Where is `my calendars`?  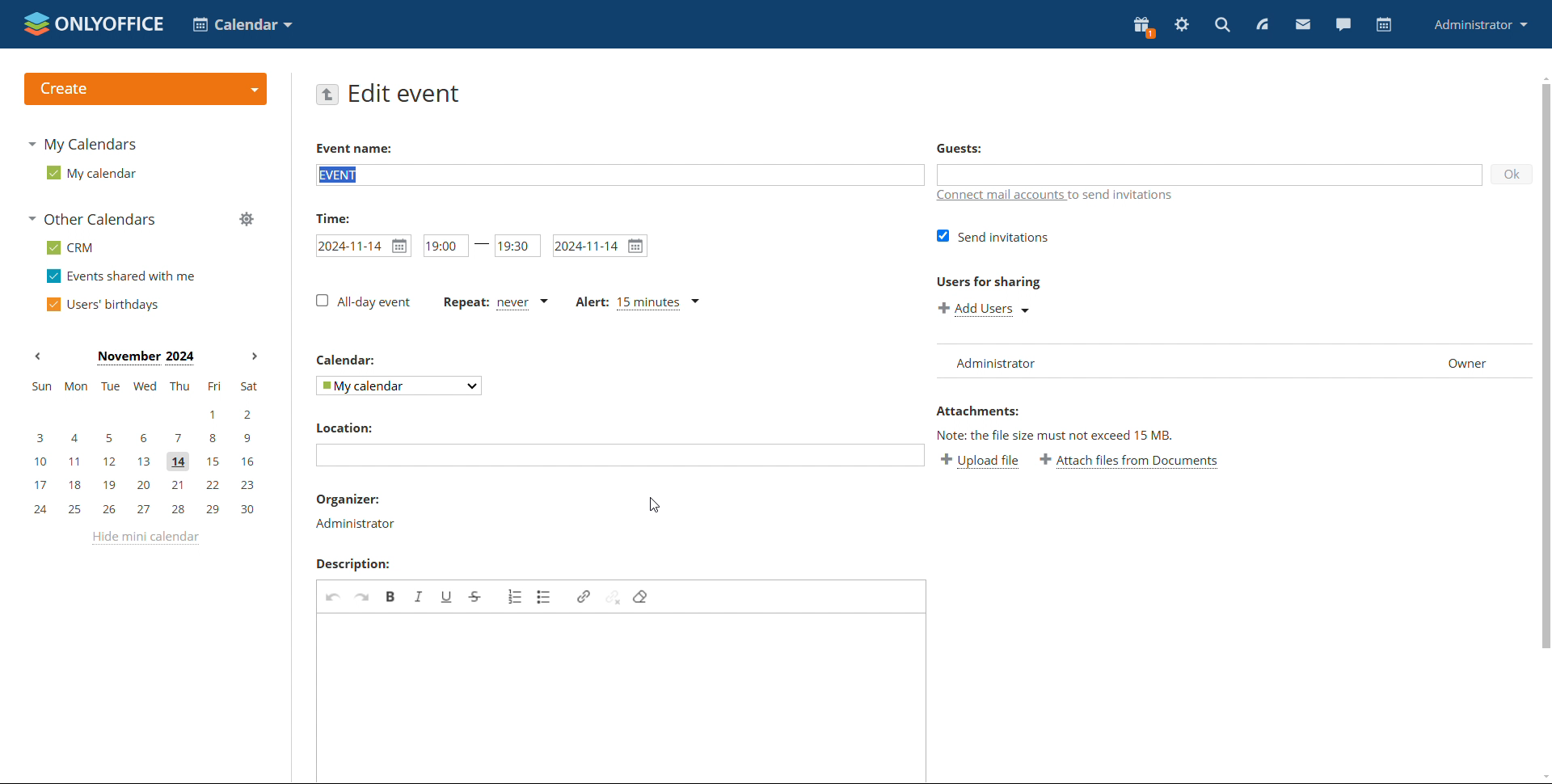 my calendars is located at coordinates (82, 145).